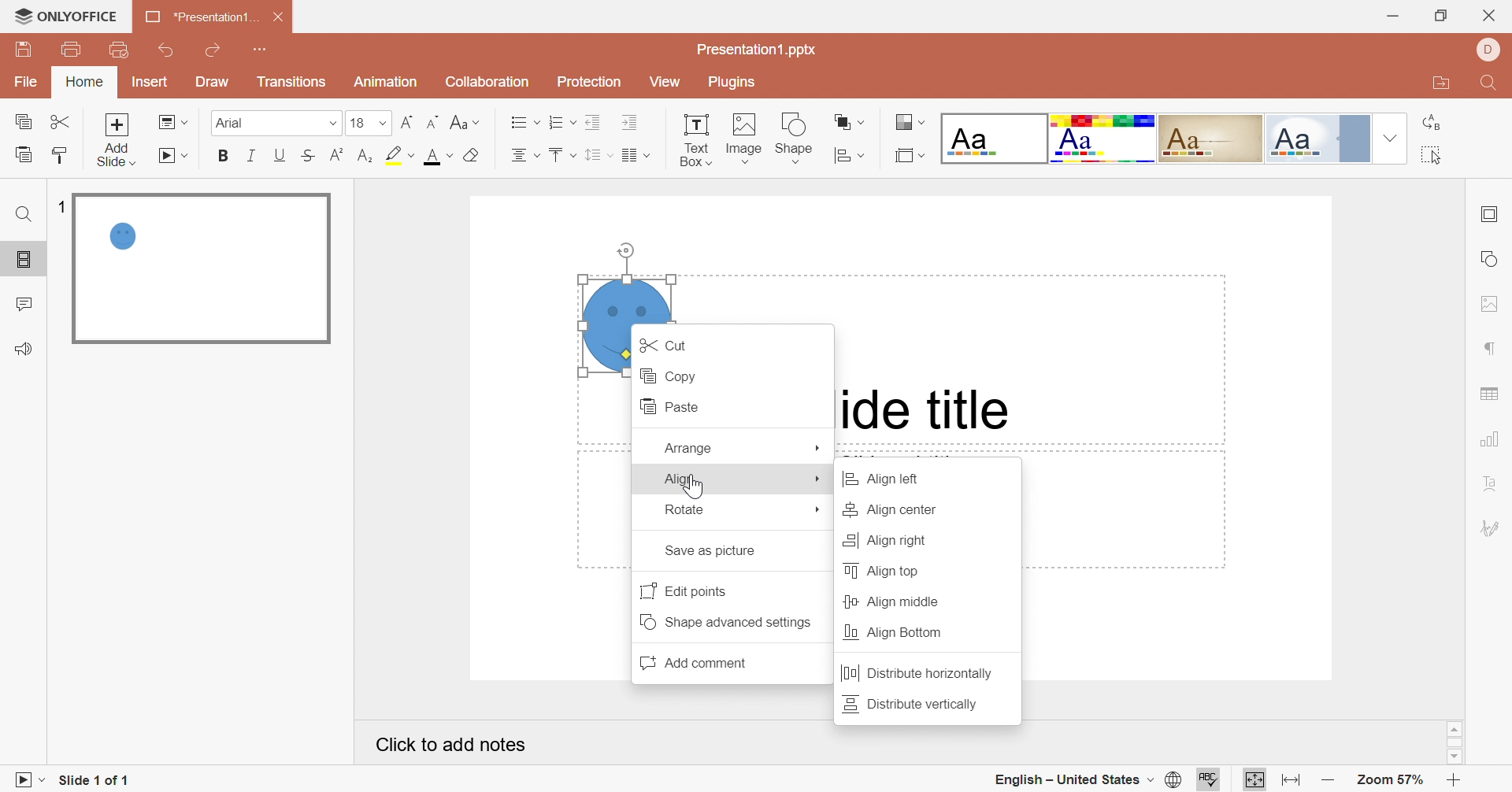 The height and width of the screenshot is (792, 1512). I want to click on Drop Down, so click(332, 125).